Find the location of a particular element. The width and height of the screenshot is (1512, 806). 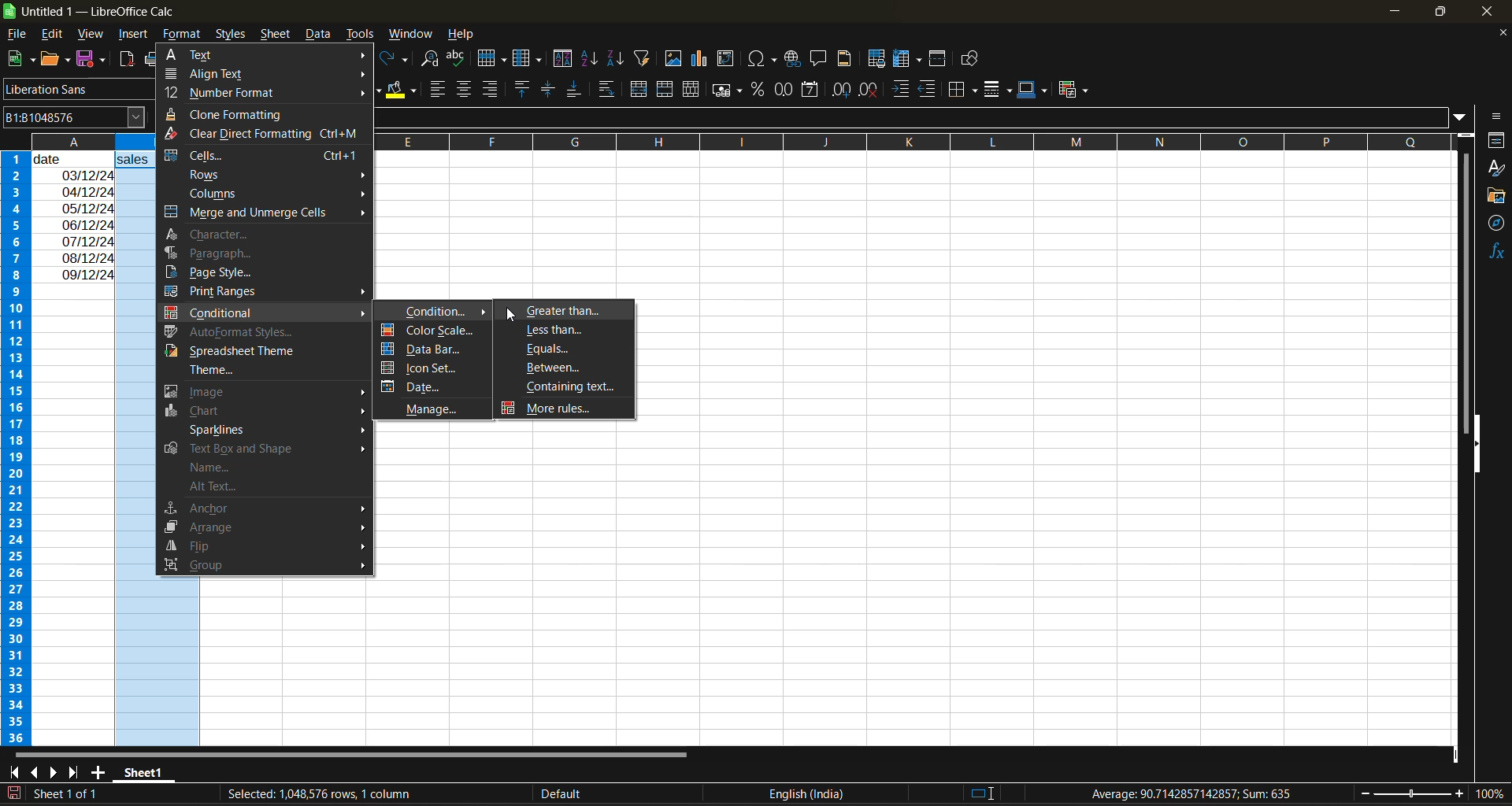

sort ascending is located at coordinates (593, 59).